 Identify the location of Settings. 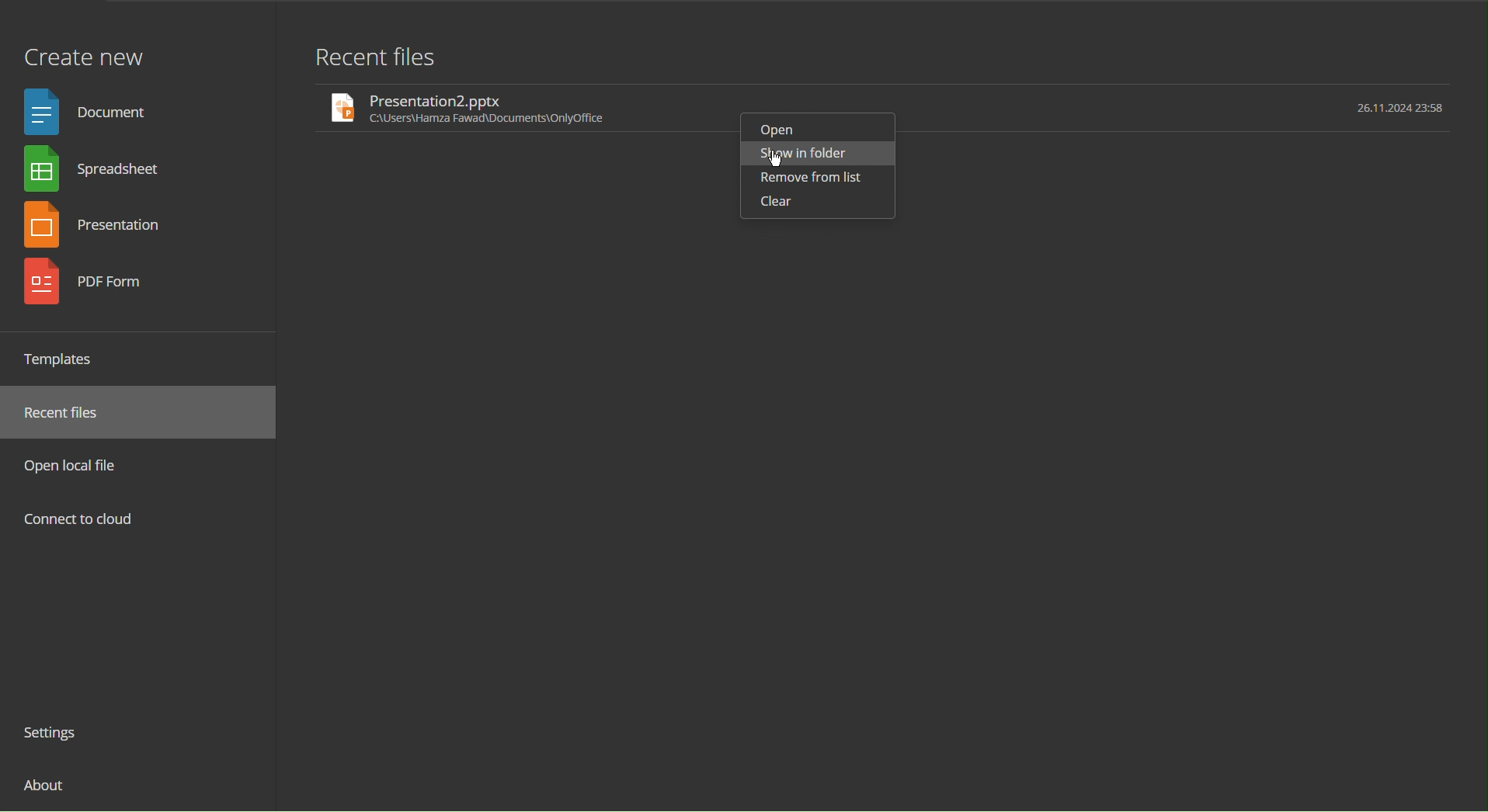
(57, 735).